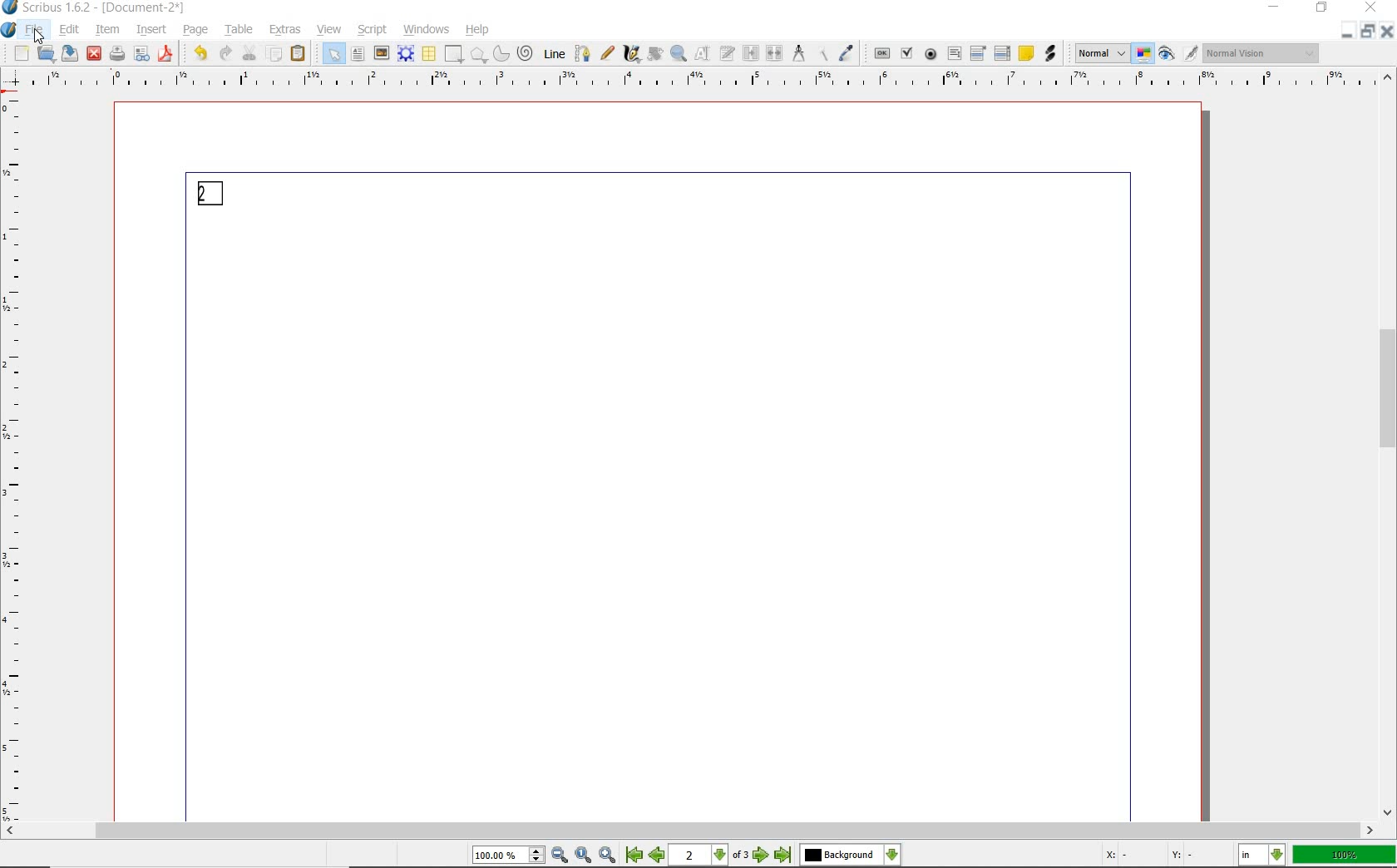  What do you see at coordinates (249, 52) in the screenshot?
I see `cut` at bounding box center [249, 52].